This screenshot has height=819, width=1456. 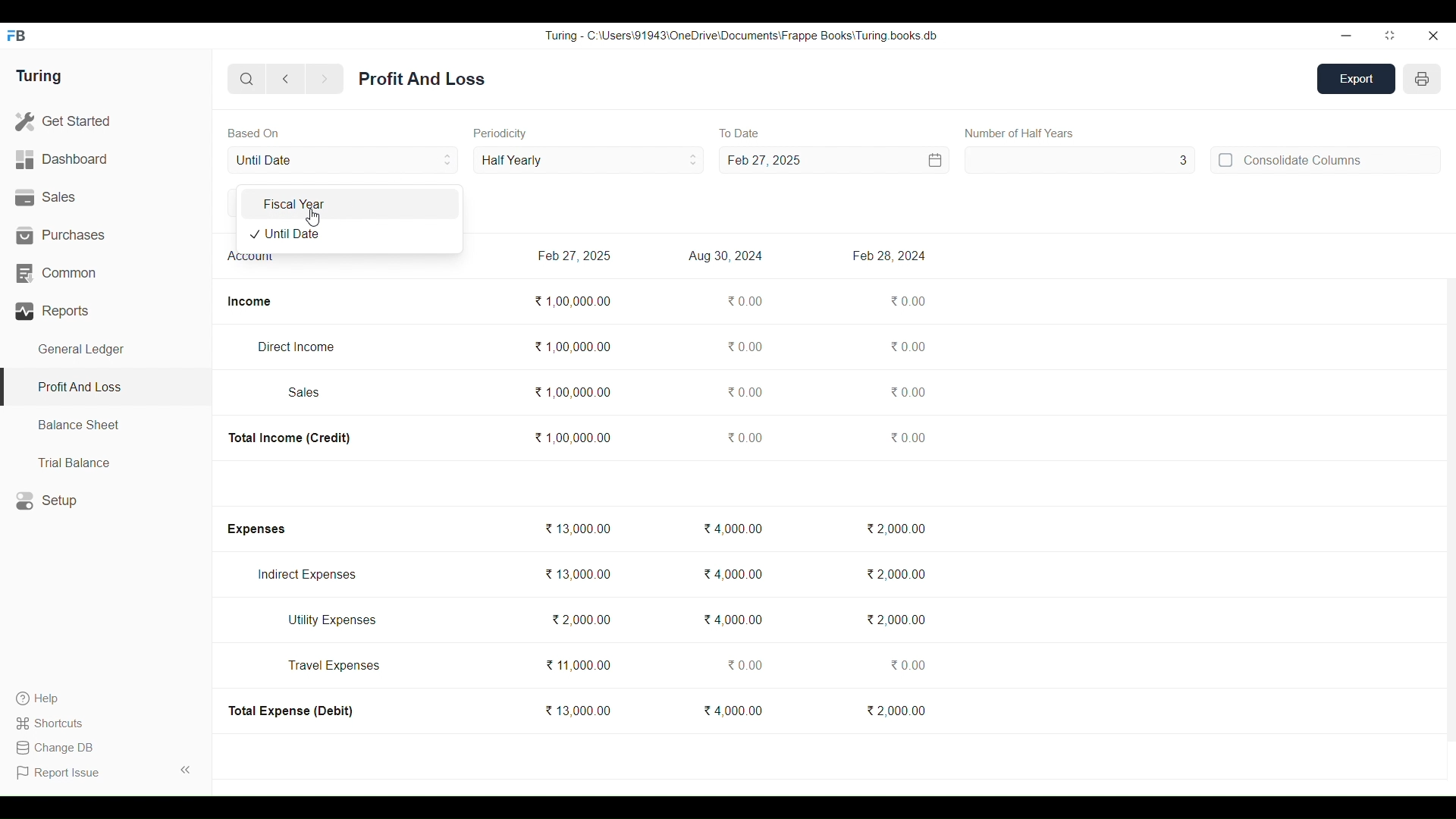 What do you see at coordinates (105, 388) in the screenshot?
I see `Profit And Loss` at bounding box center [105, 388].